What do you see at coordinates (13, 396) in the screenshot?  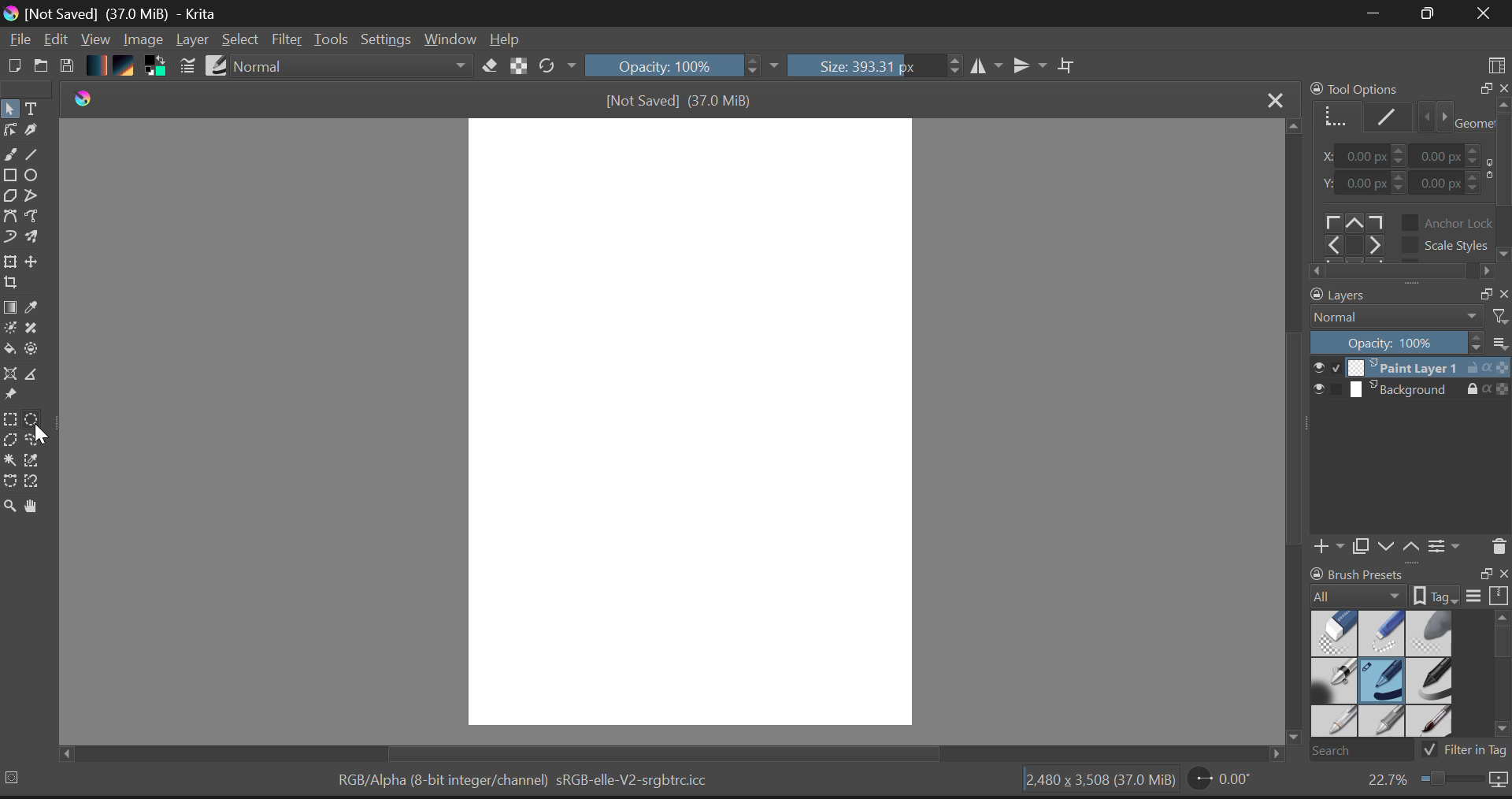 I see `Reference Images` at bounding box center [13, 396].